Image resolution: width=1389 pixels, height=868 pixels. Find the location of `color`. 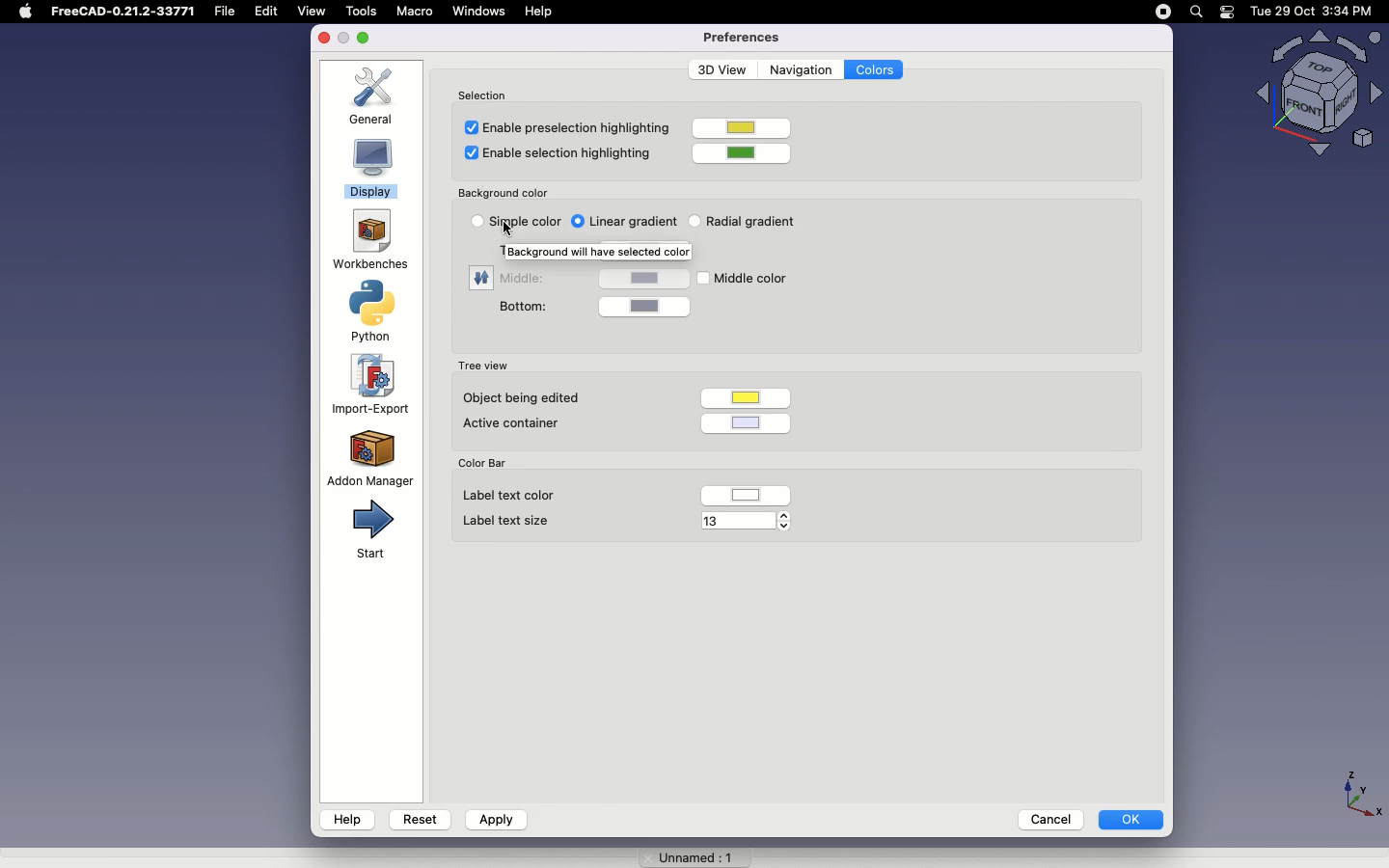

color is located at coordinates (644, 277).